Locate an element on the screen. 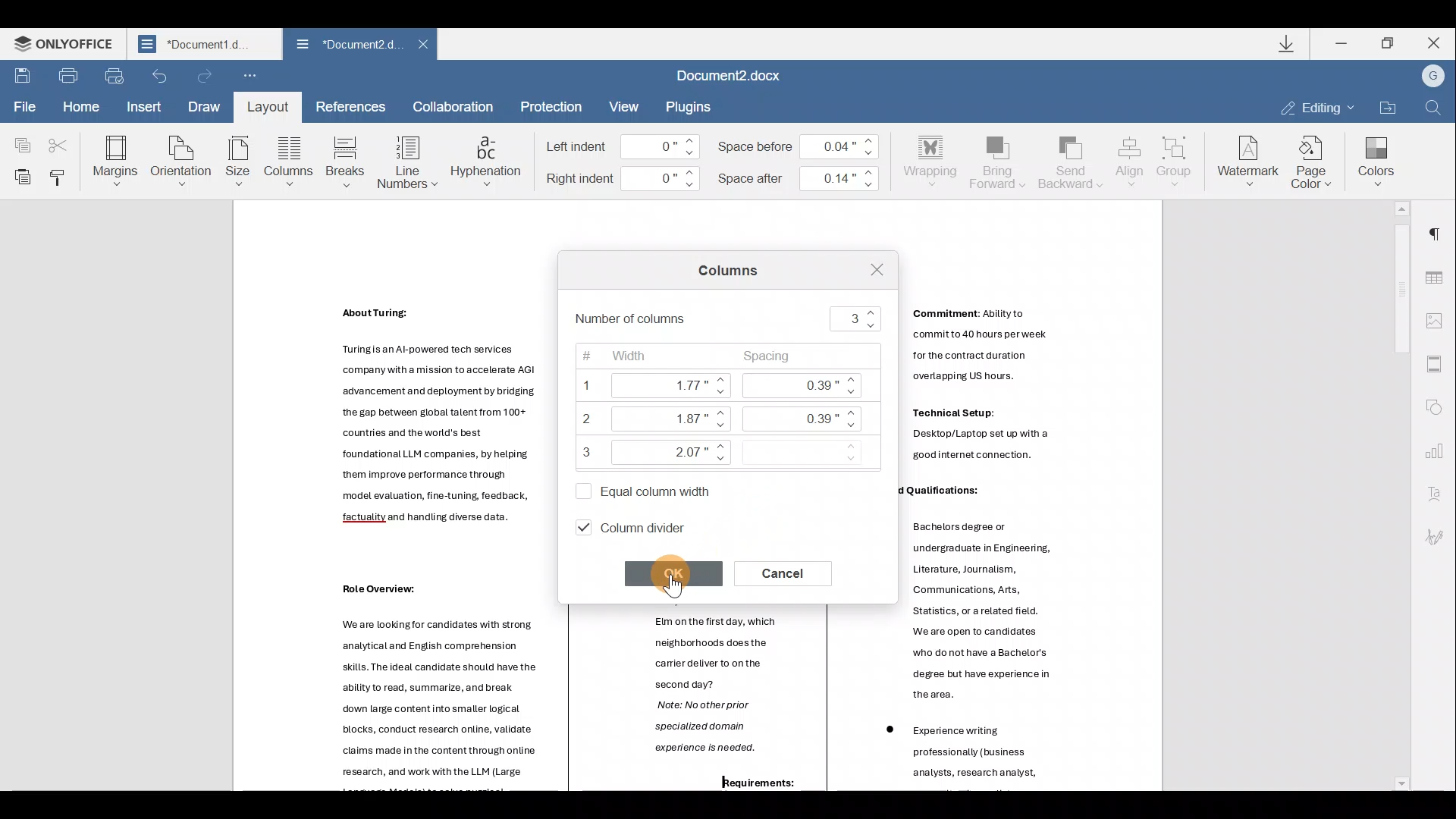  Wrapping is located at coordinates (934, 158).